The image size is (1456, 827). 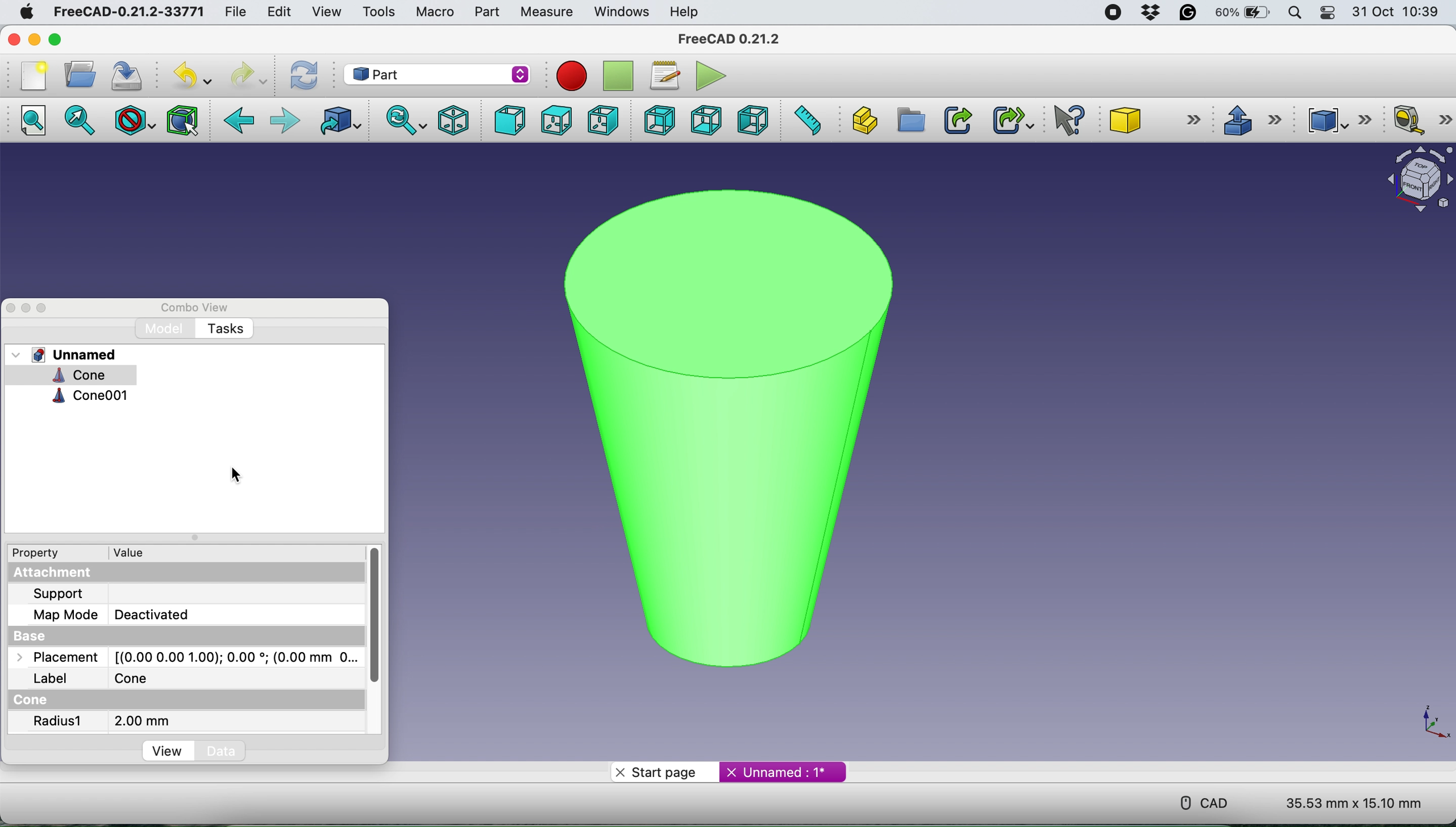 I want to click on grammarly, so click(x=1189, y=15).